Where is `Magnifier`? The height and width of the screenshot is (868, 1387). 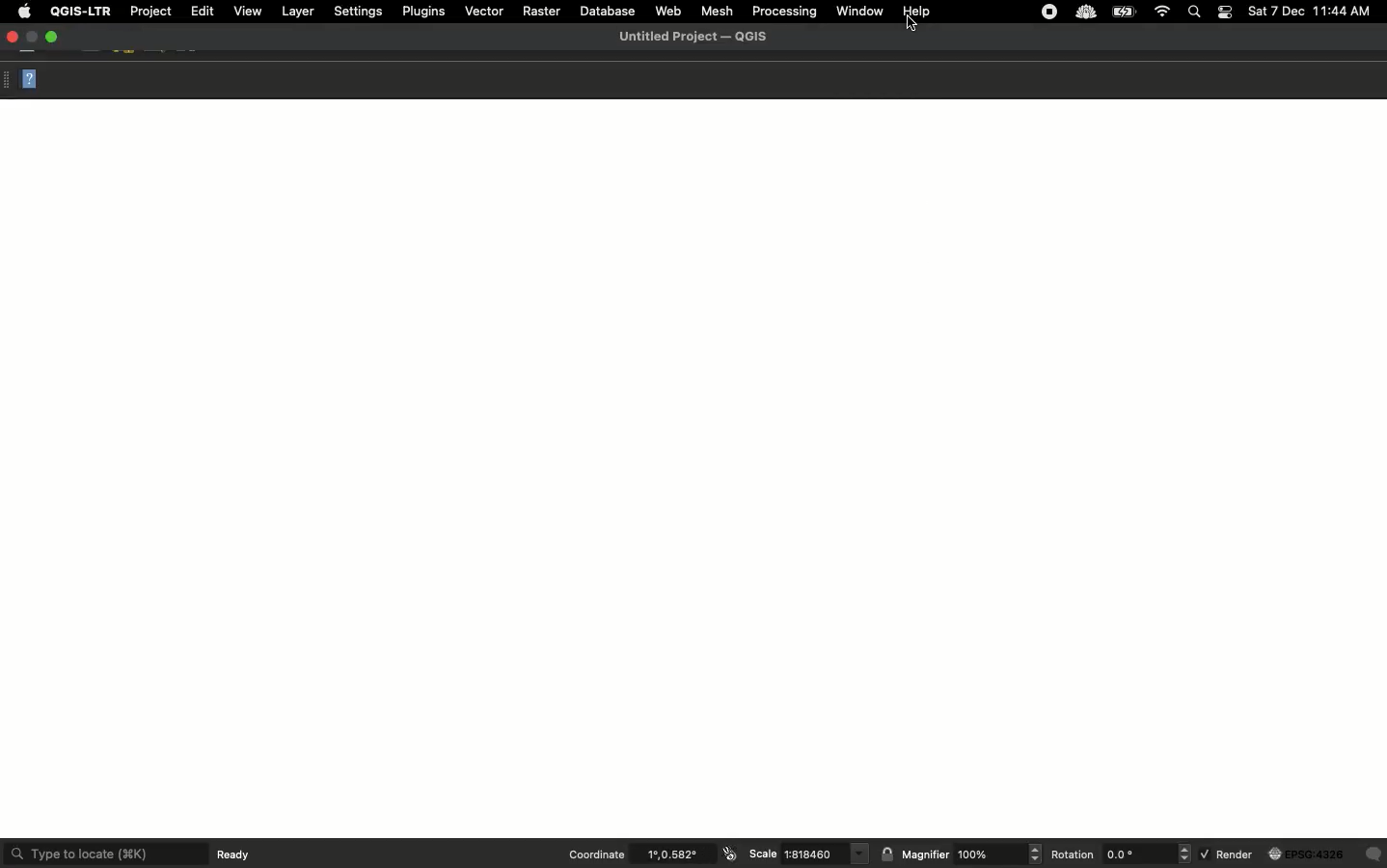
Magnifier is located at coordinates (962, 855).